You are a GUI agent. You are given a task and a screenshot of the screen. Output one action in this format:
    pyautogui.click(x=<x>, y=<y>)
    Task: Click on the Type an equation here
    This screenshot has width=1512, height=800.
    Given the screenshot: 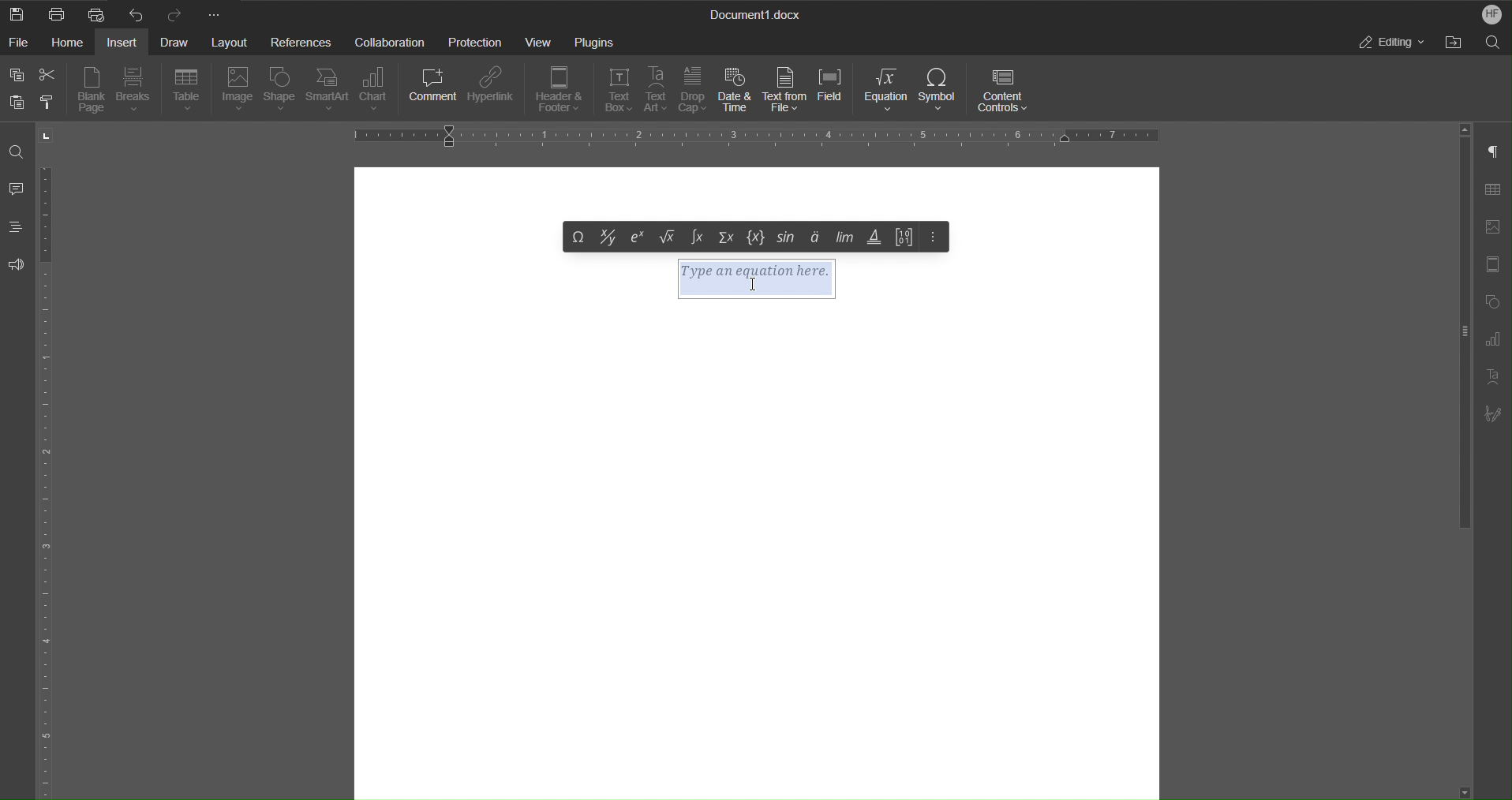 What is the action you would take?
    pyautogui.click(x=758, y=281)
    